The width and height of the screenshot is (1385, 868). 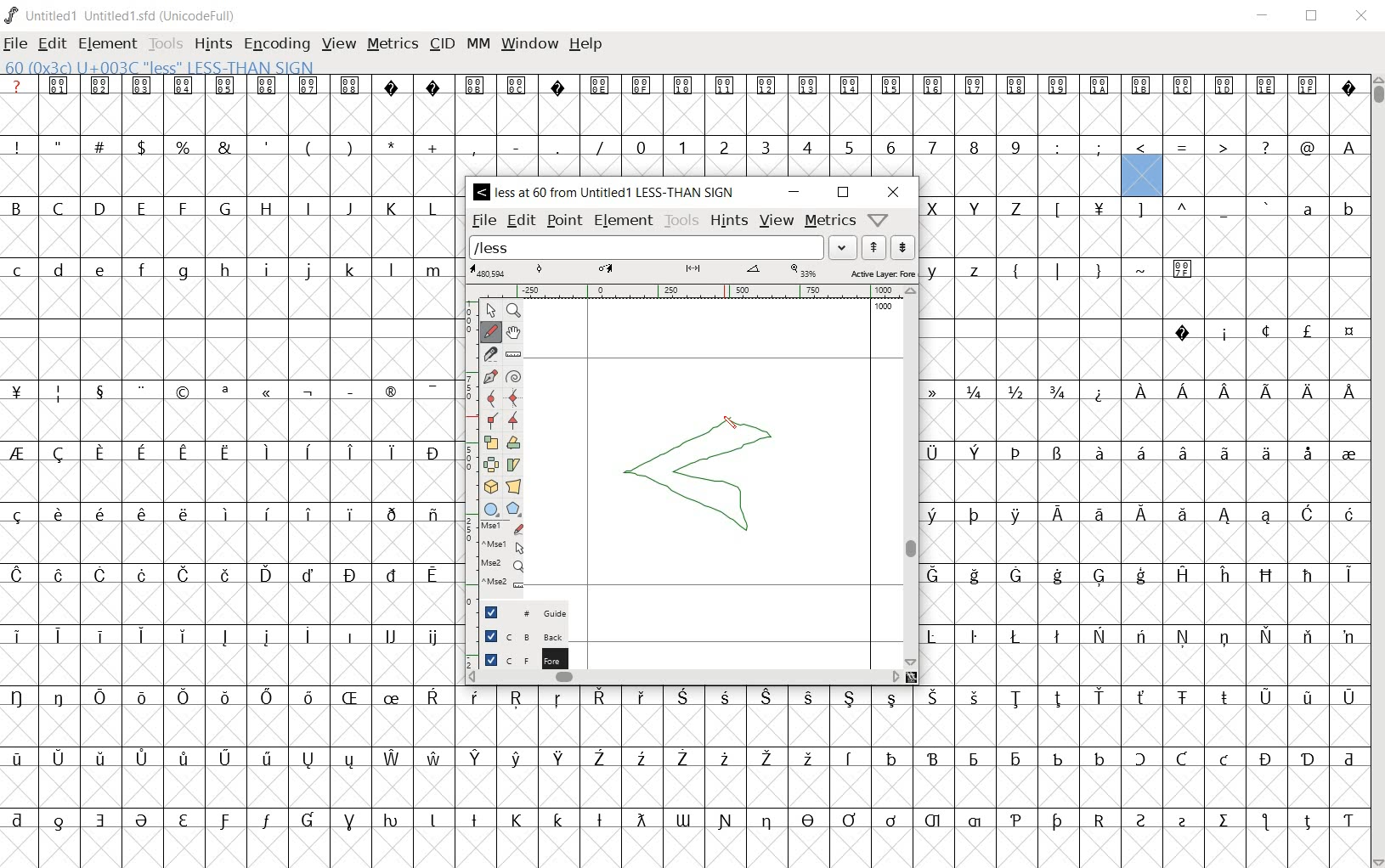 I want to click on close, so click(x=1363, y=17).